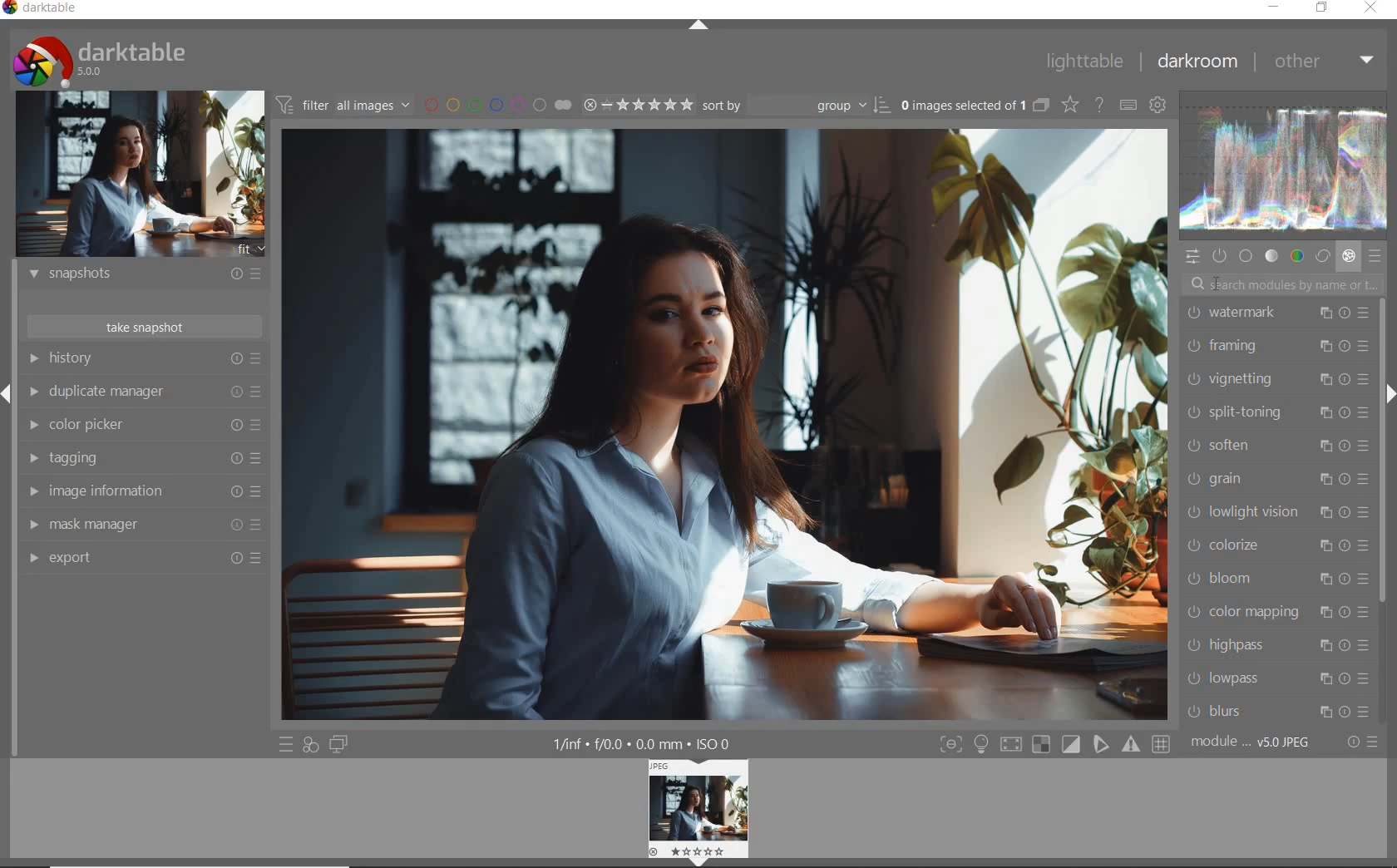 This screenshot has width=1397, height=868. I want to click on base, so click(1246, 256).